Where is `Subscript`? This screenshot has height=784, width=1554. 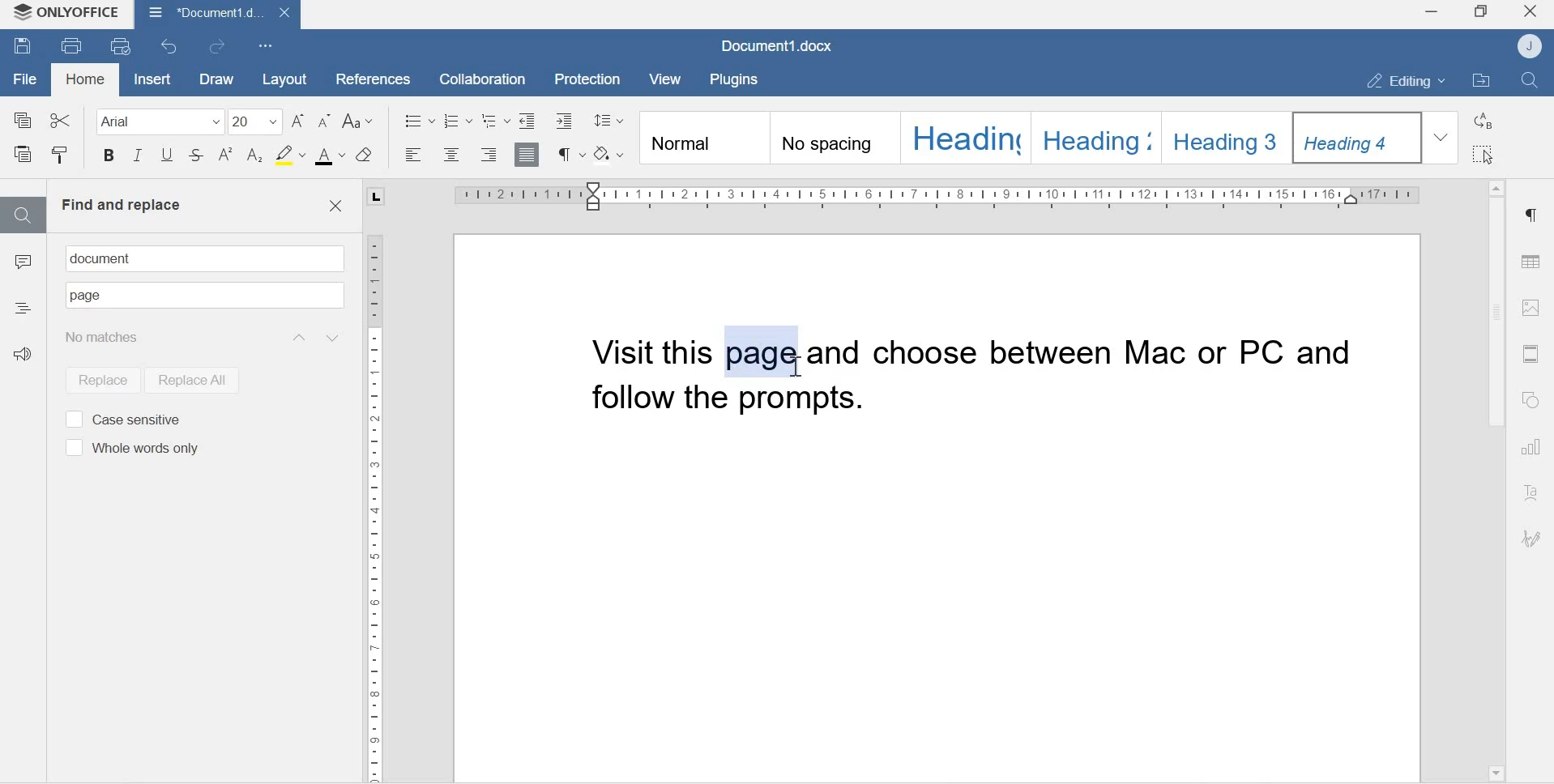
Subscript is located at coordinates (255, 156).